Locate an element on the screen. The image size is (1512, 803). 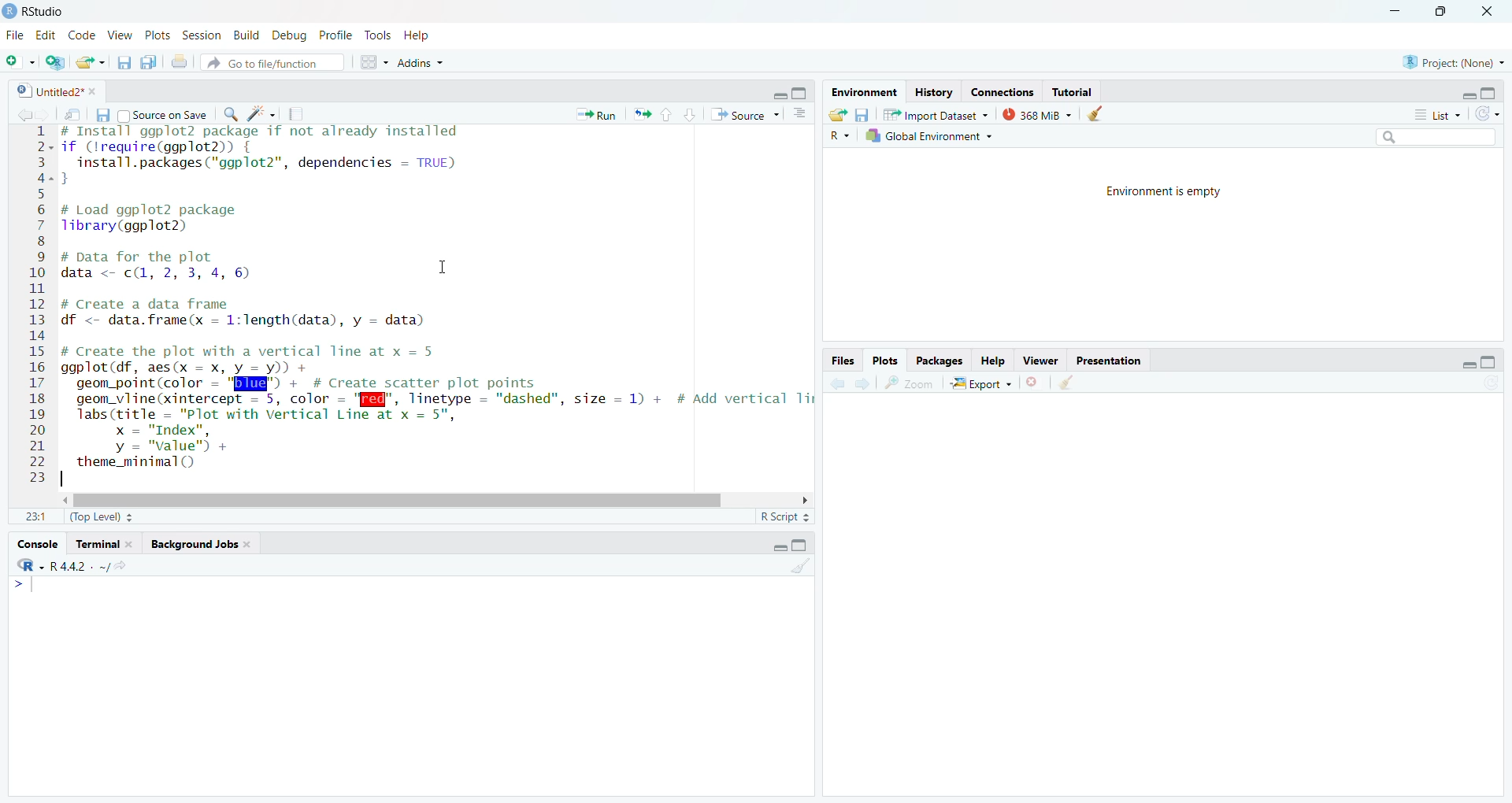
History is located at coordinates (936, 91).